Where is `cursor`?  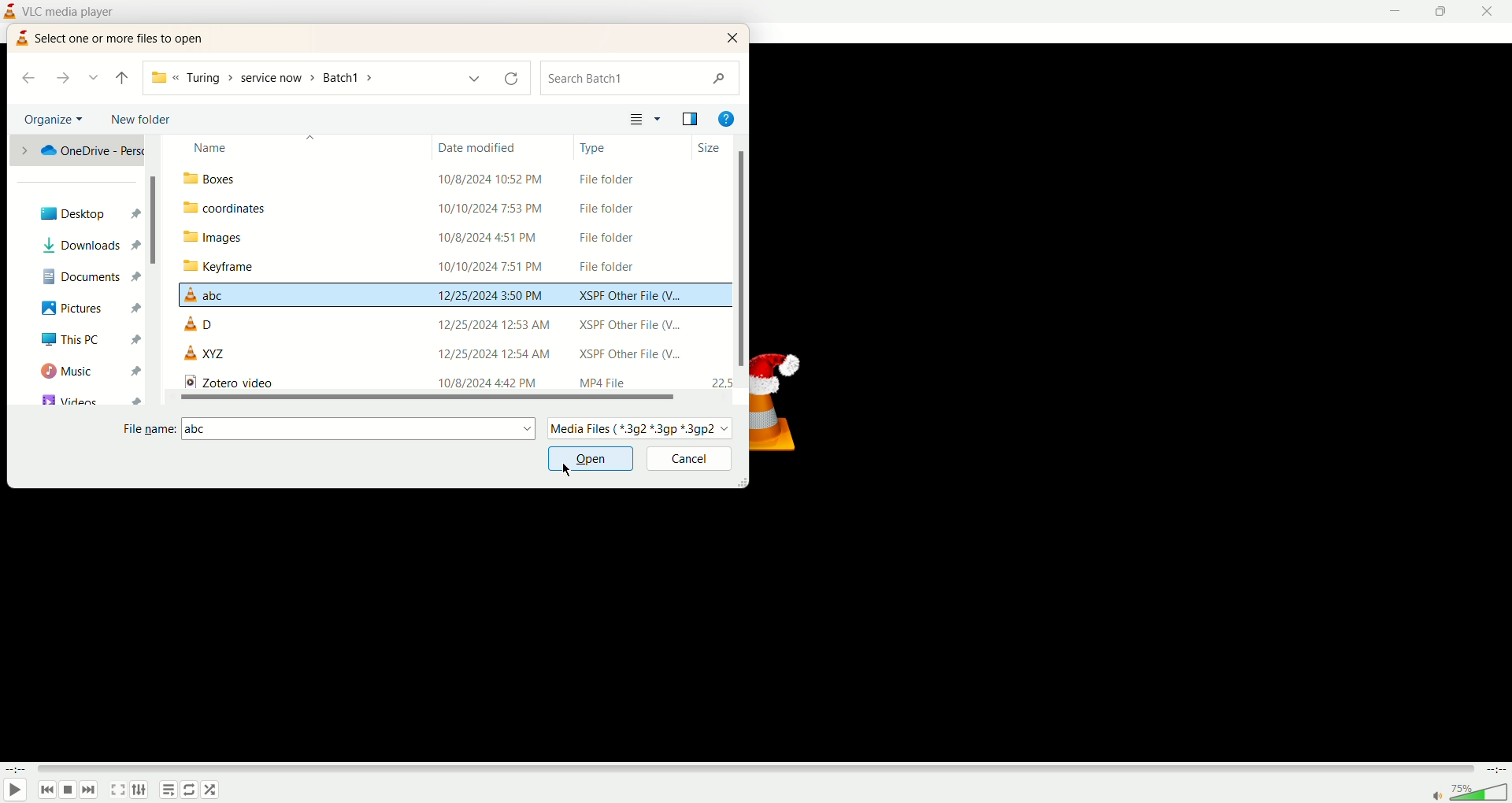
cursor is located at coordinates (566, 471).